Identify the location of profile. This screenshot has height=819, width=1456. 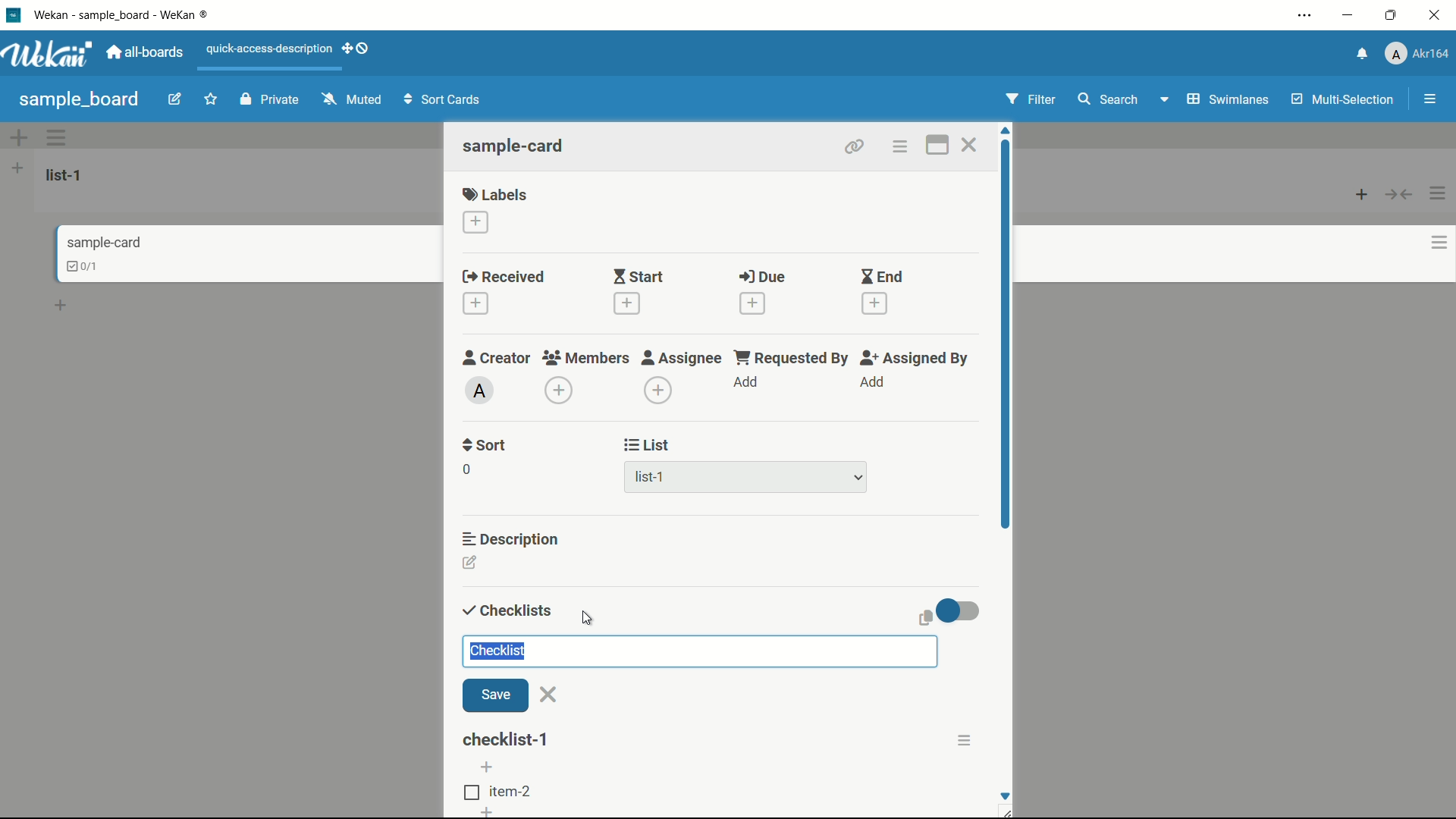
(1417, 55).